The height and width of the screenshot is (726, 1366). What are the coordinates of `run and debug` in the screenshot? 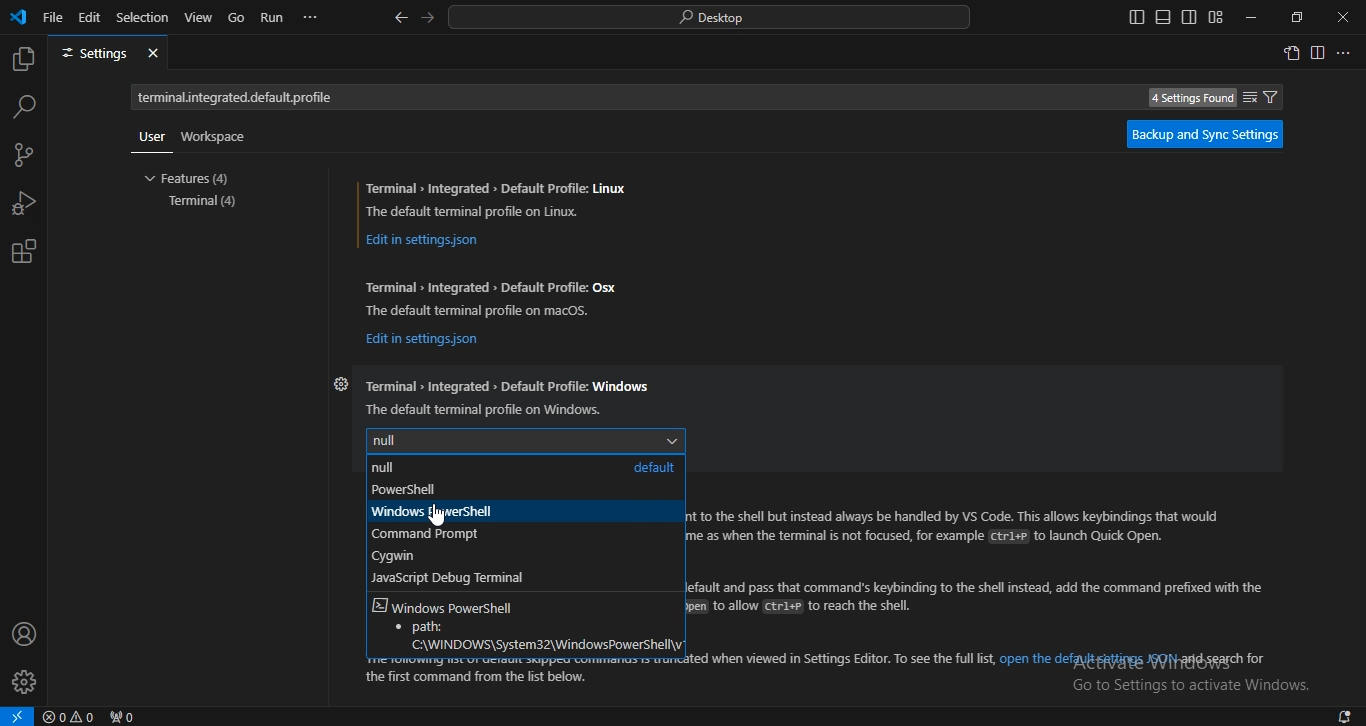 It's located at (23, 205).